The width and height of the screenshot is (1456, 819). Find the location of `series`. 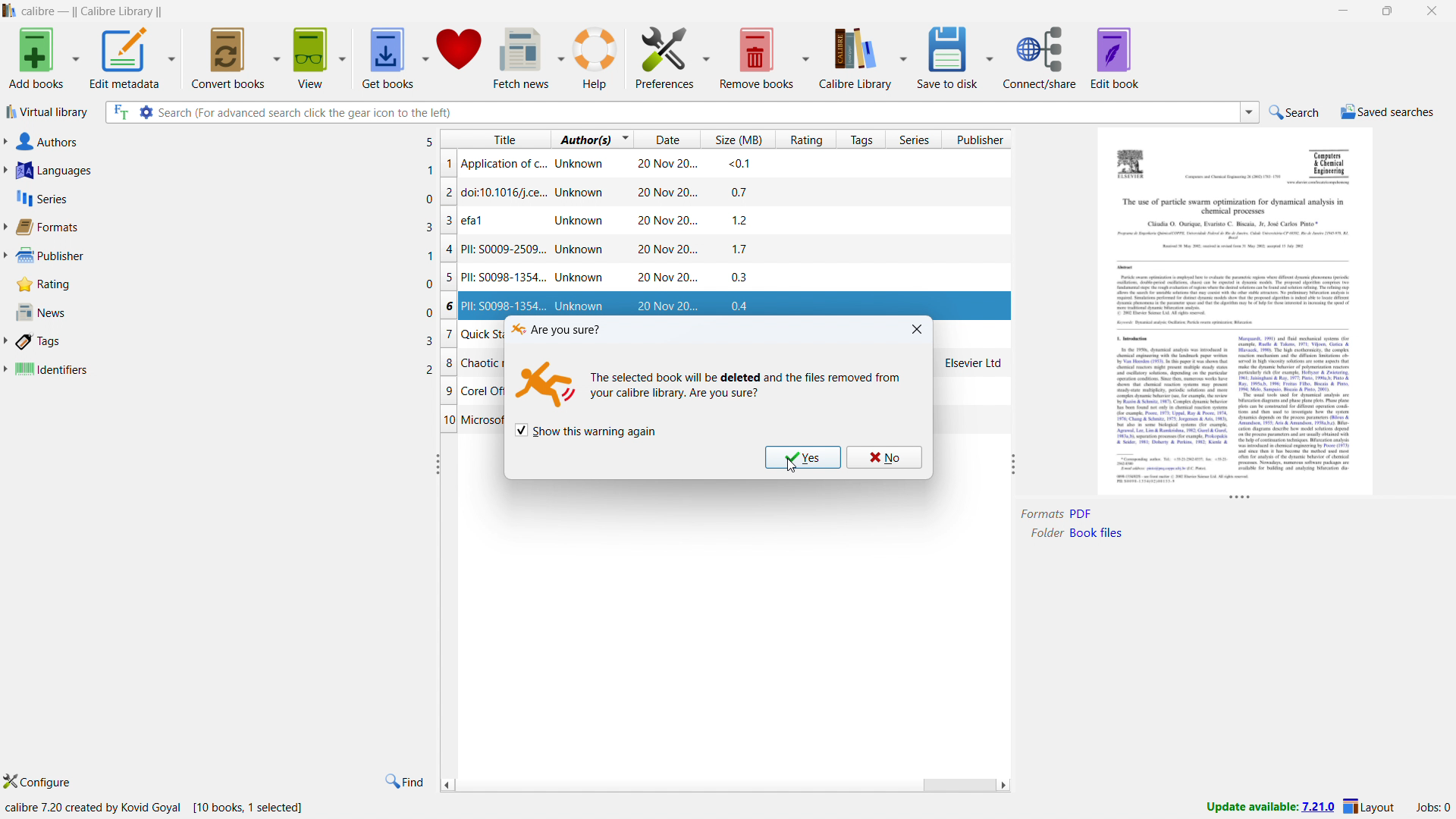

series is located at coordinates (224, 198).